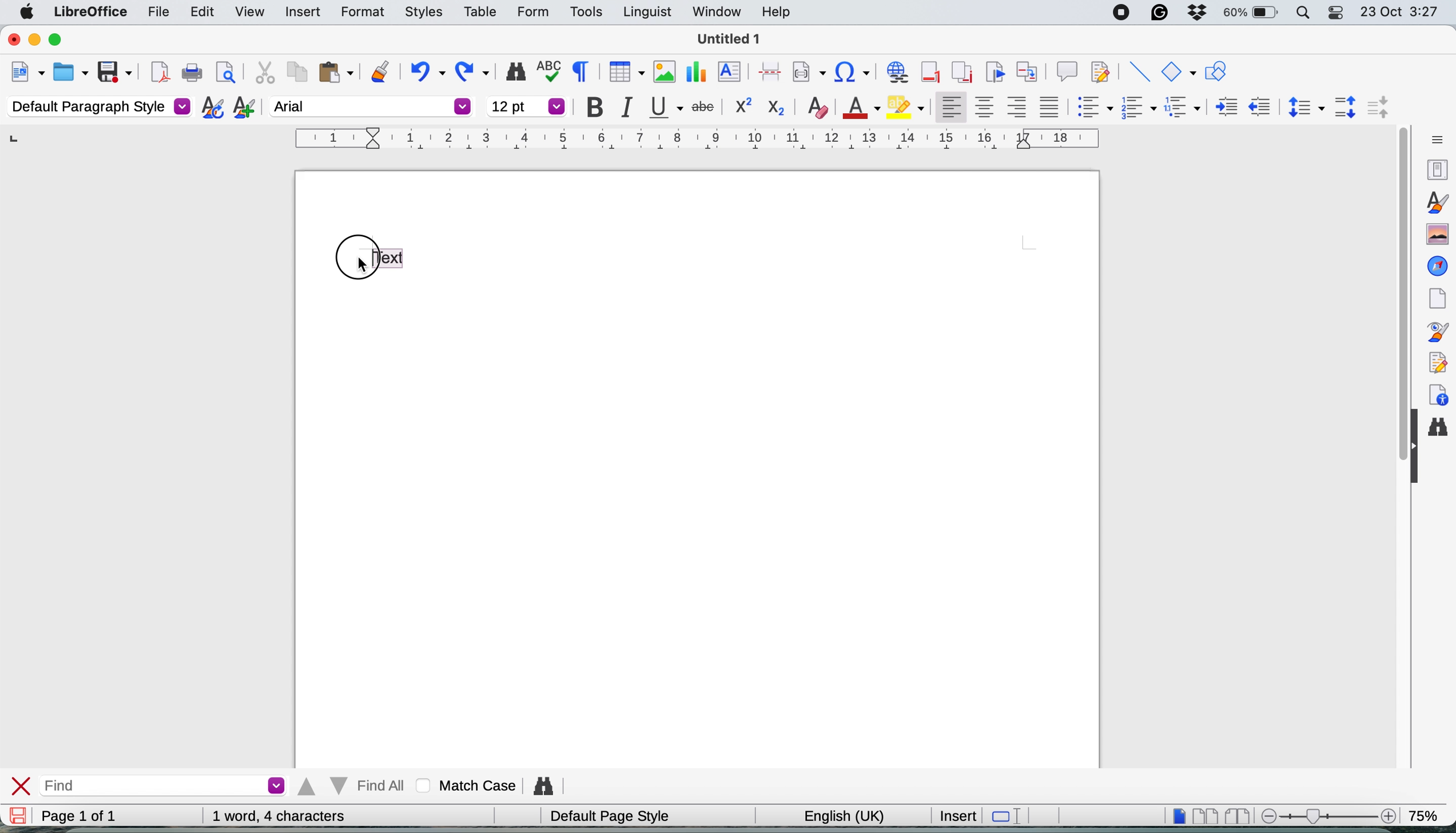 This screenshot has height=833, width=1456. I want to click on battery, so click(1250, 14).